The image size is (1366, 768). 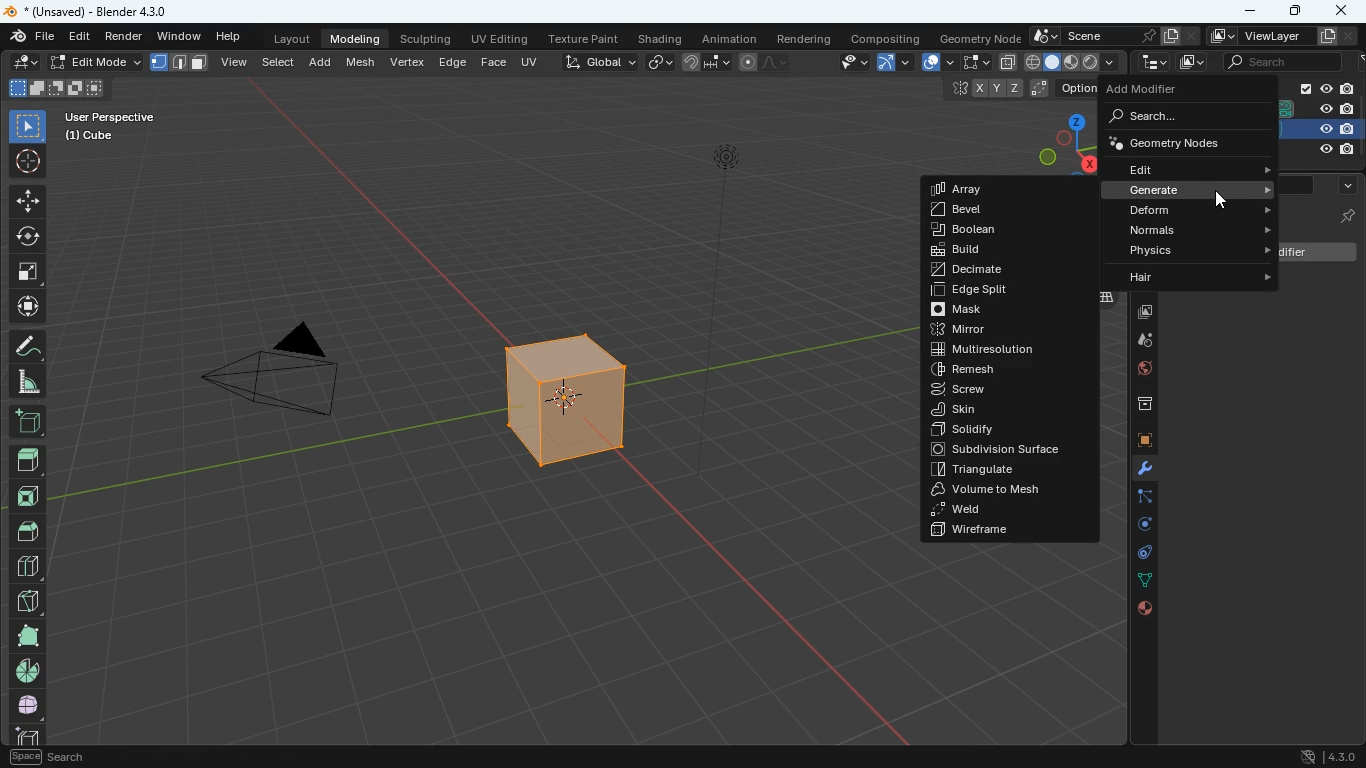 What do you see at coordinates (1140, 554) in the screenshot?
I see `control` at bounding box center [1140, 554].